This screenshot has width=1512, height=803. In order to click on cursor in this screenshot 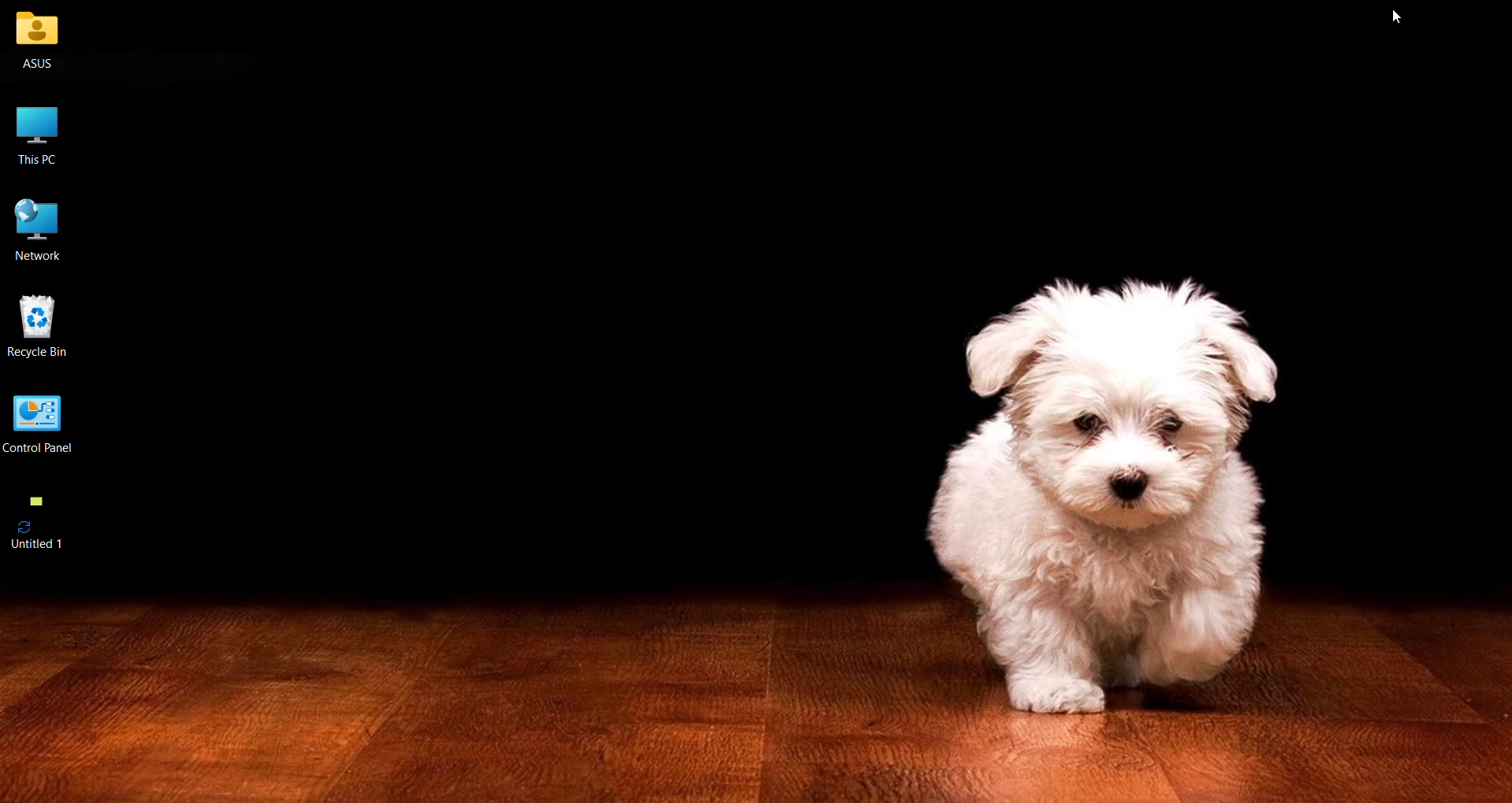, I will do `click(1403, 18)`.